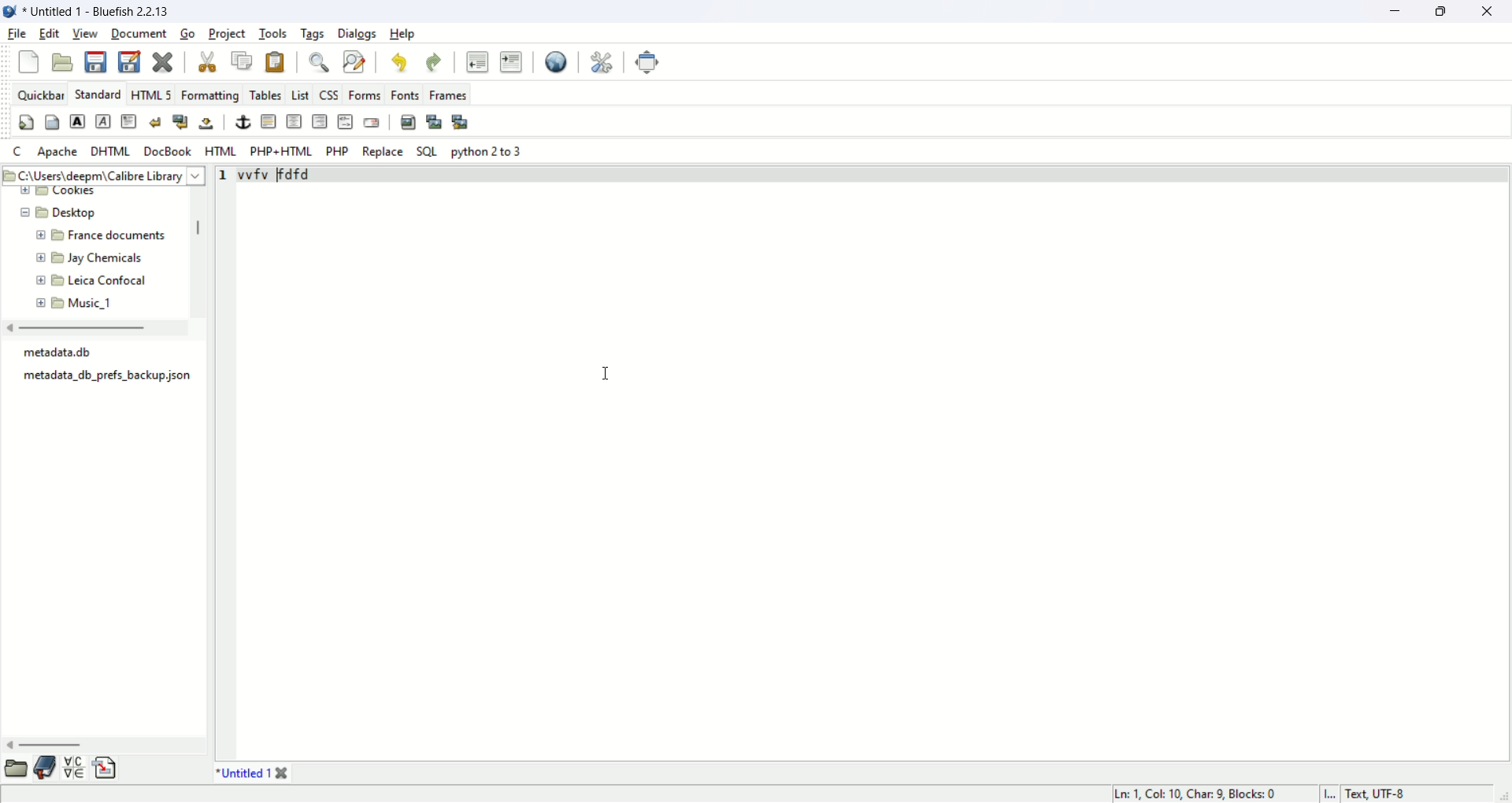  What do you see at coordinates (370, 123) in the screenshot?
I see `email` at bounding box center [370, 123].